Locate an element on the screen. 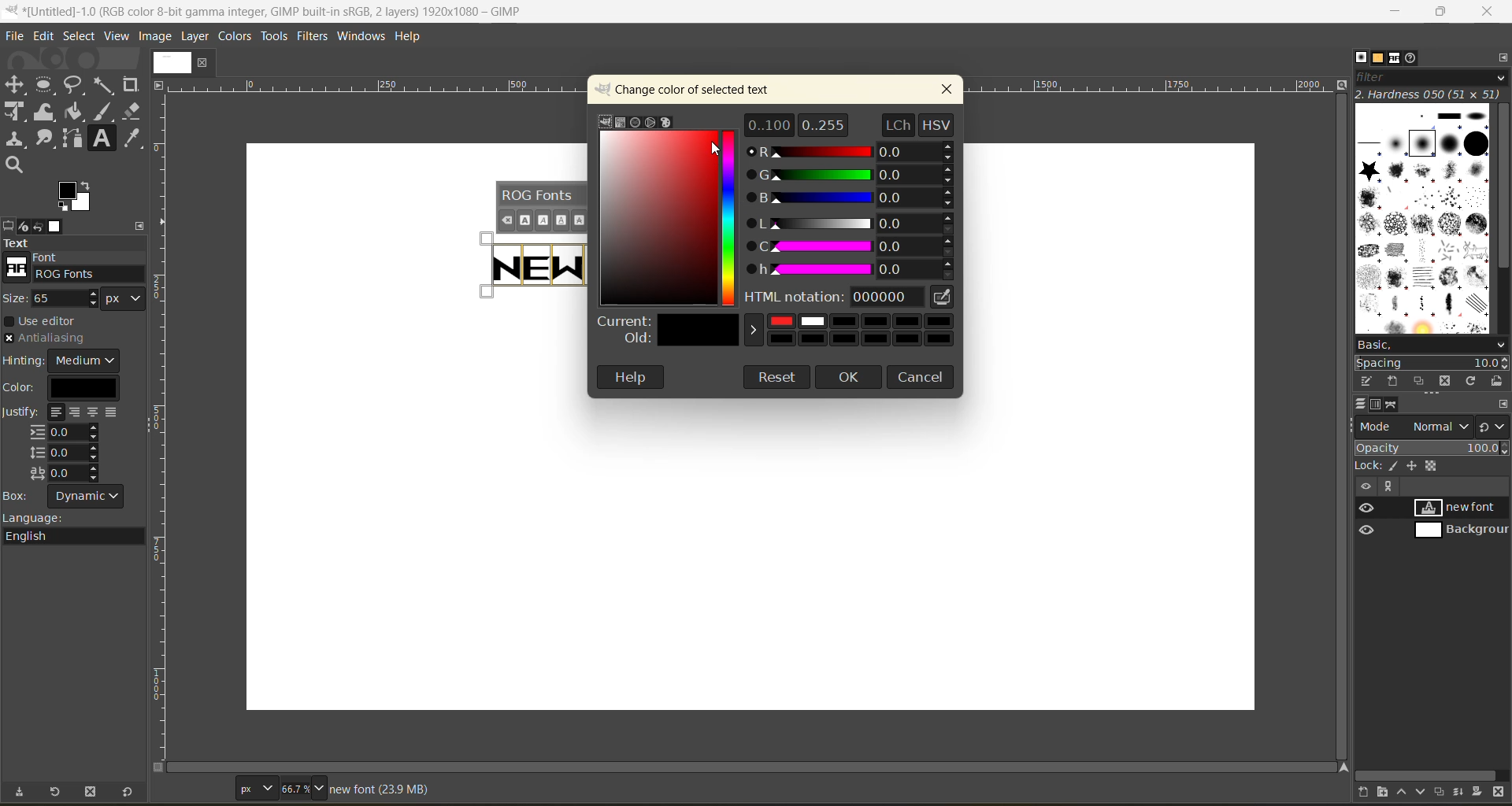  watercolor is located at coordinates (636, 121).